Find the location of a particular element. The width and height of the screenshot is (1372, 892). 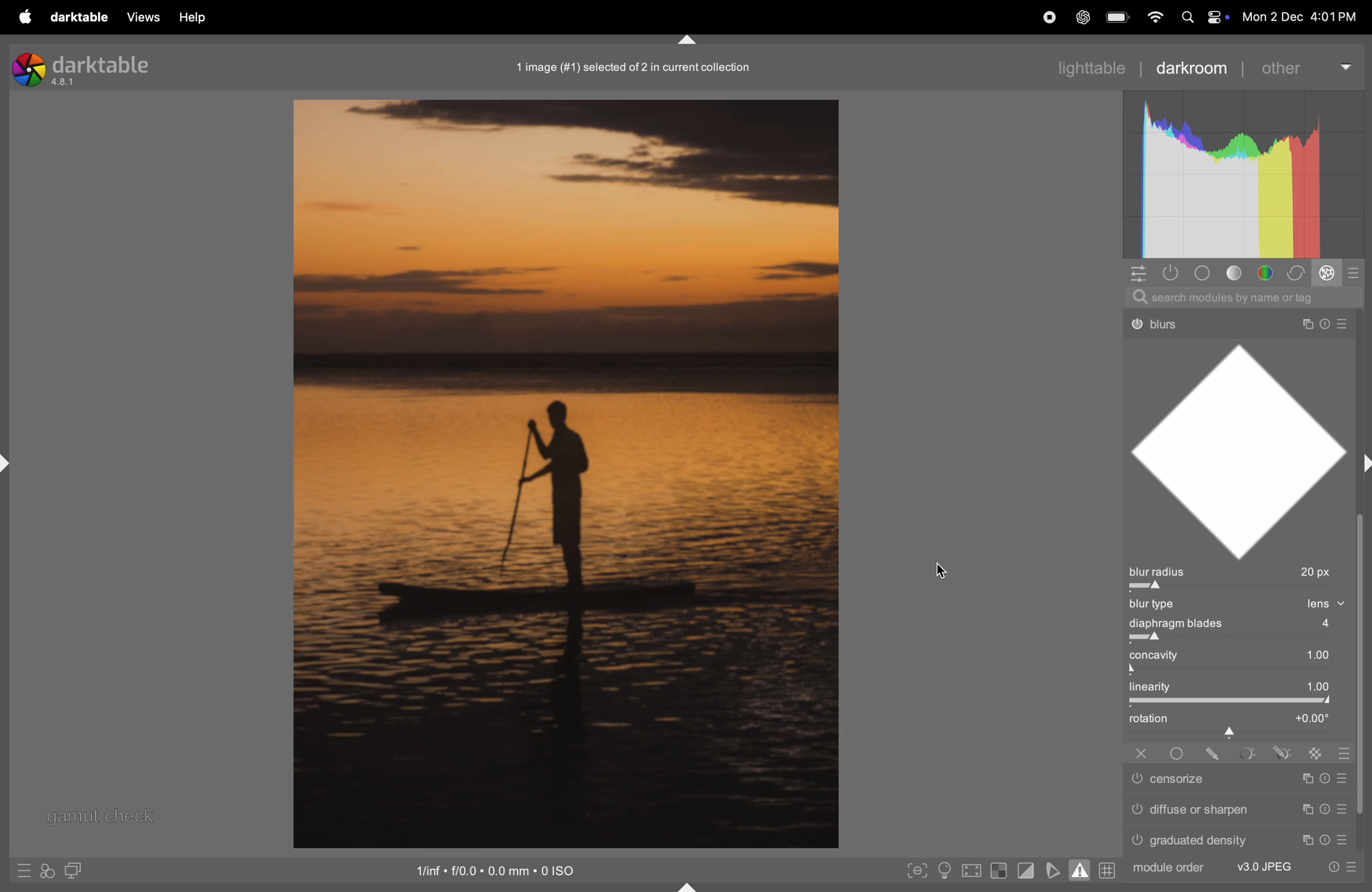

toggle bar is located at coordinates (1241, 589).